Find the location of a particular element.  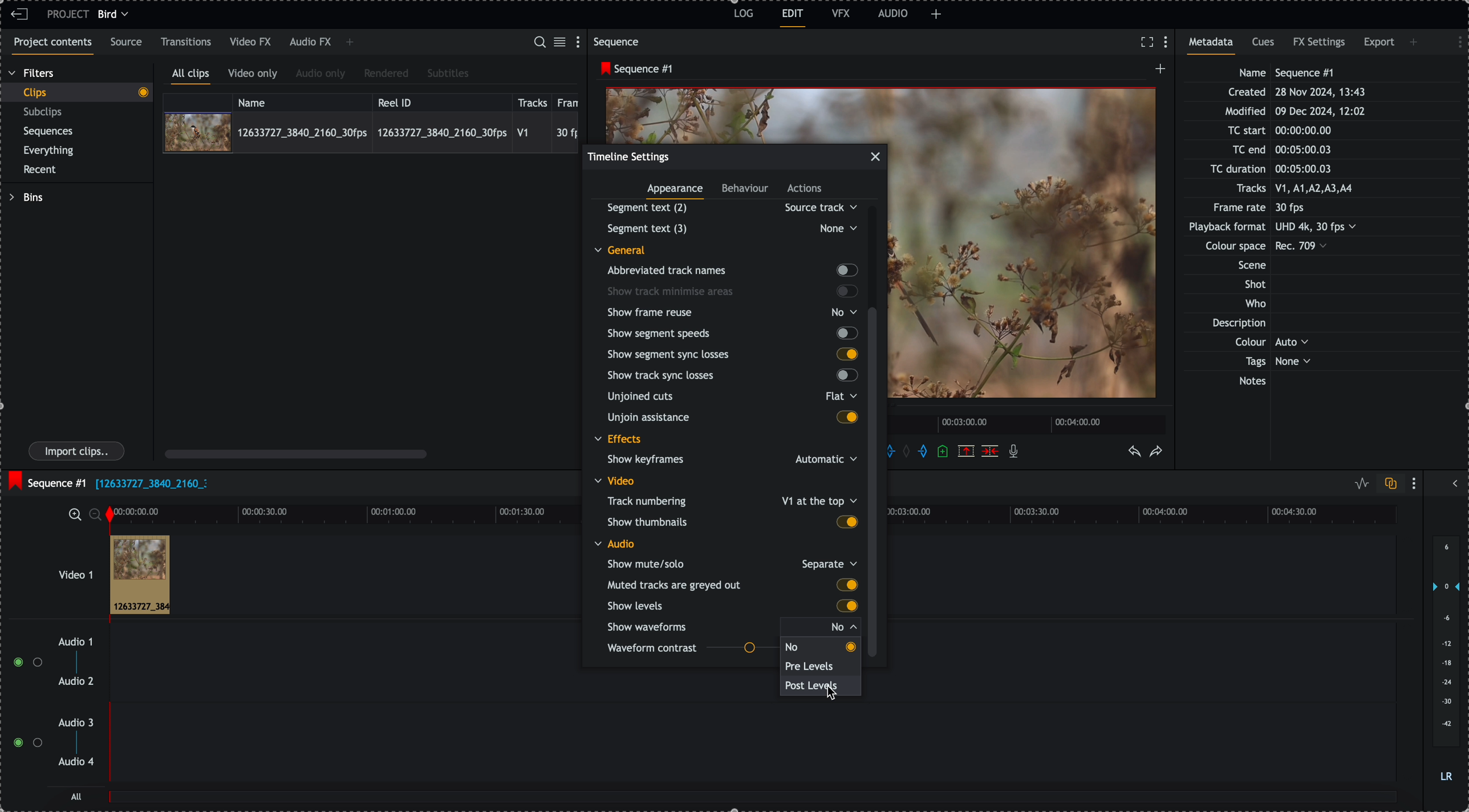

zoom in is located at coordinates (74, 514).